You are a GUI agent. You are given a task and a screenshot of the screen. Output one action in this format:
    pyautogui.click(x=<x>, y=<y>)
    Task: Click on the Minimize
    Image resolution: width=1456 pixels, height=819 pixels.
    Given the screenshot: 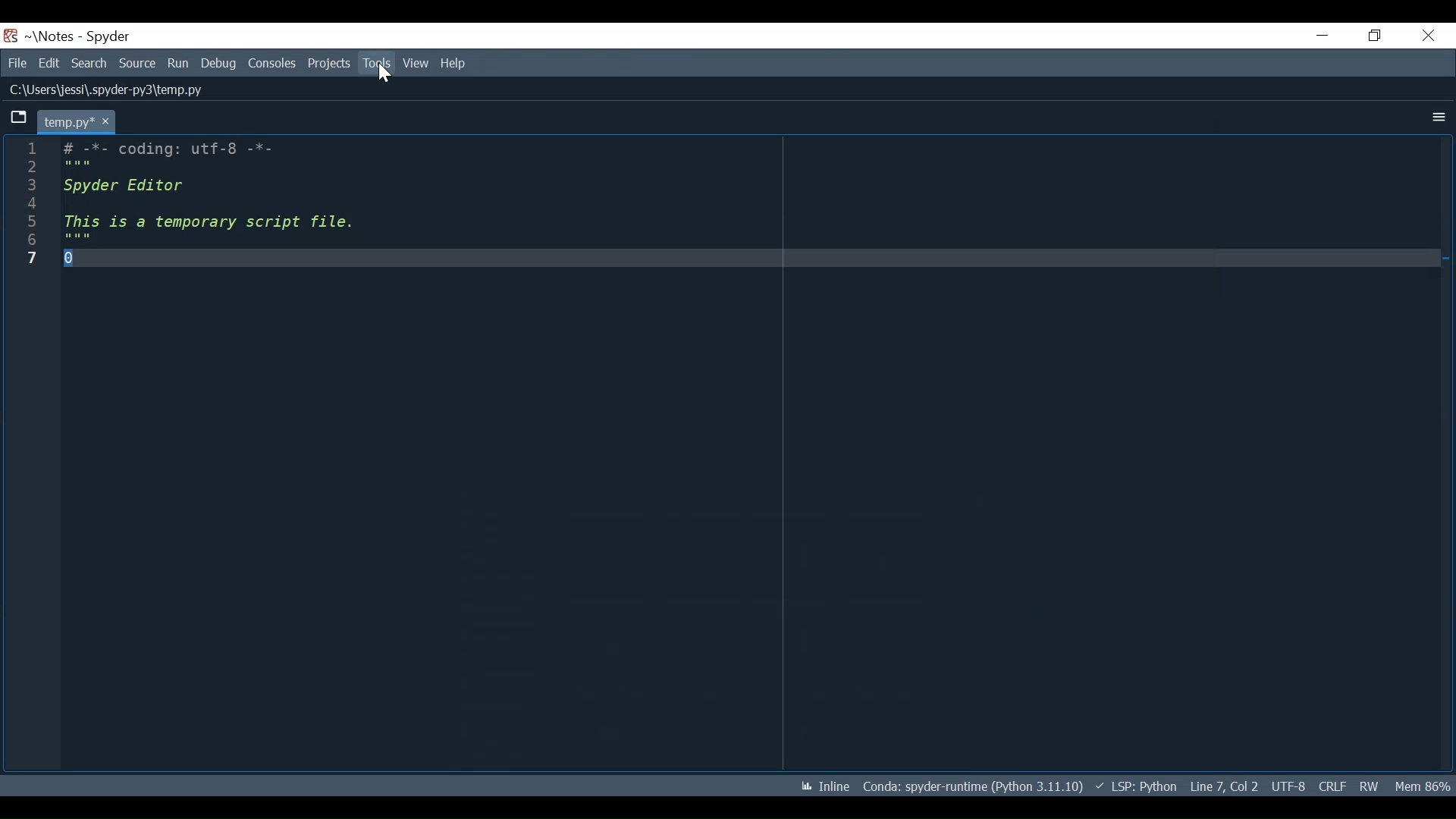 What is the action you would take?
    pyautogui.click(x=1314, y=35)
    